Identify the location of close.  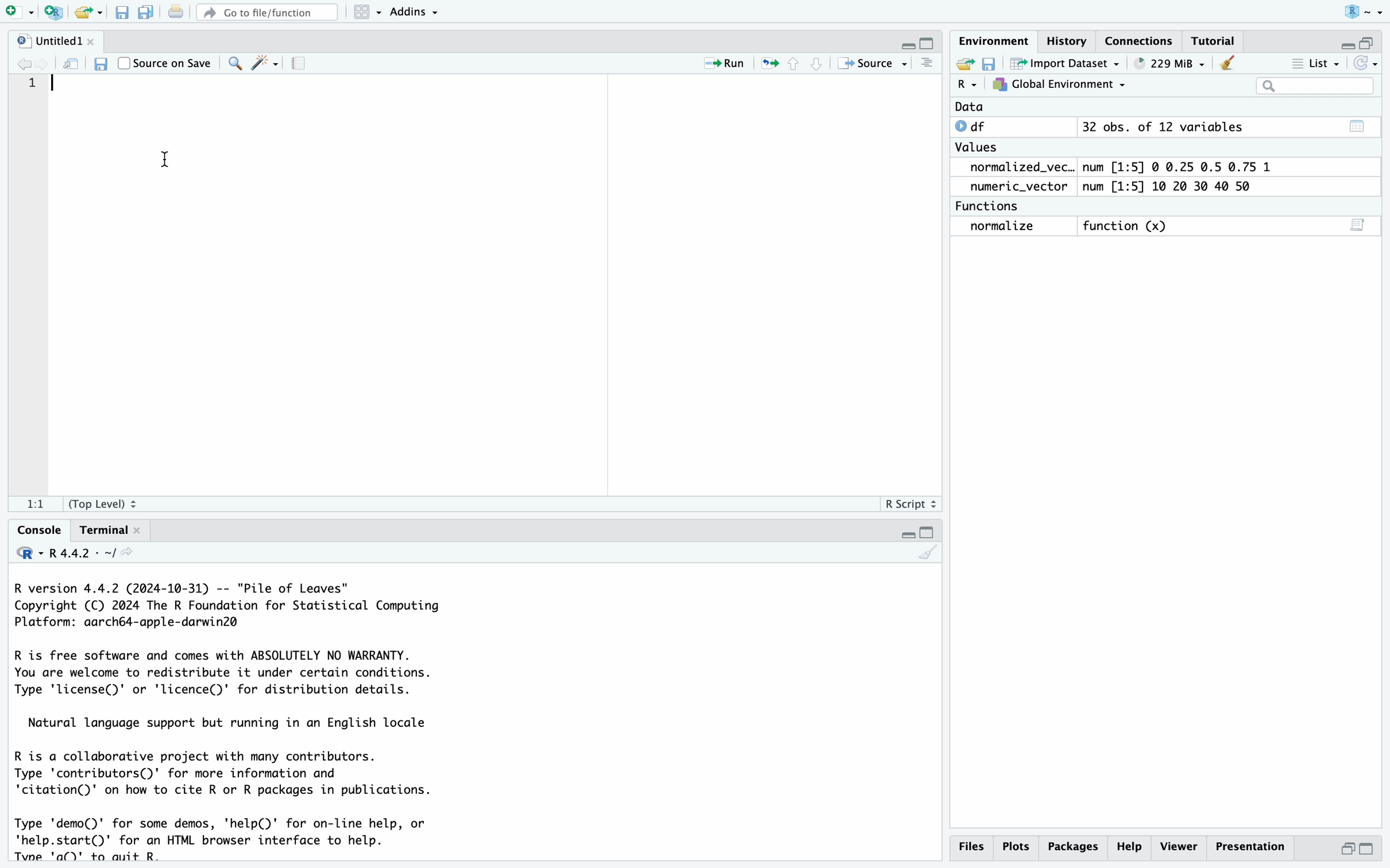
(97, 40).